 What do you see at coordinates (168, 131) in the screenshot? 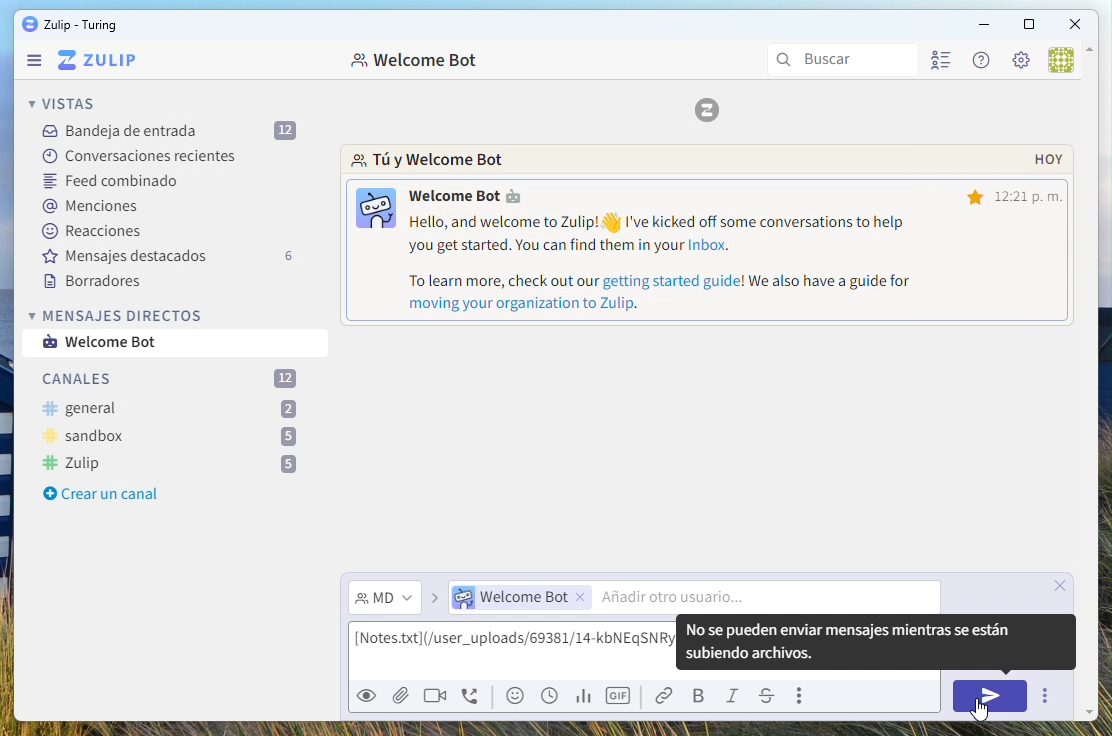
I see `Inbox` at bounding box center [168, 131].